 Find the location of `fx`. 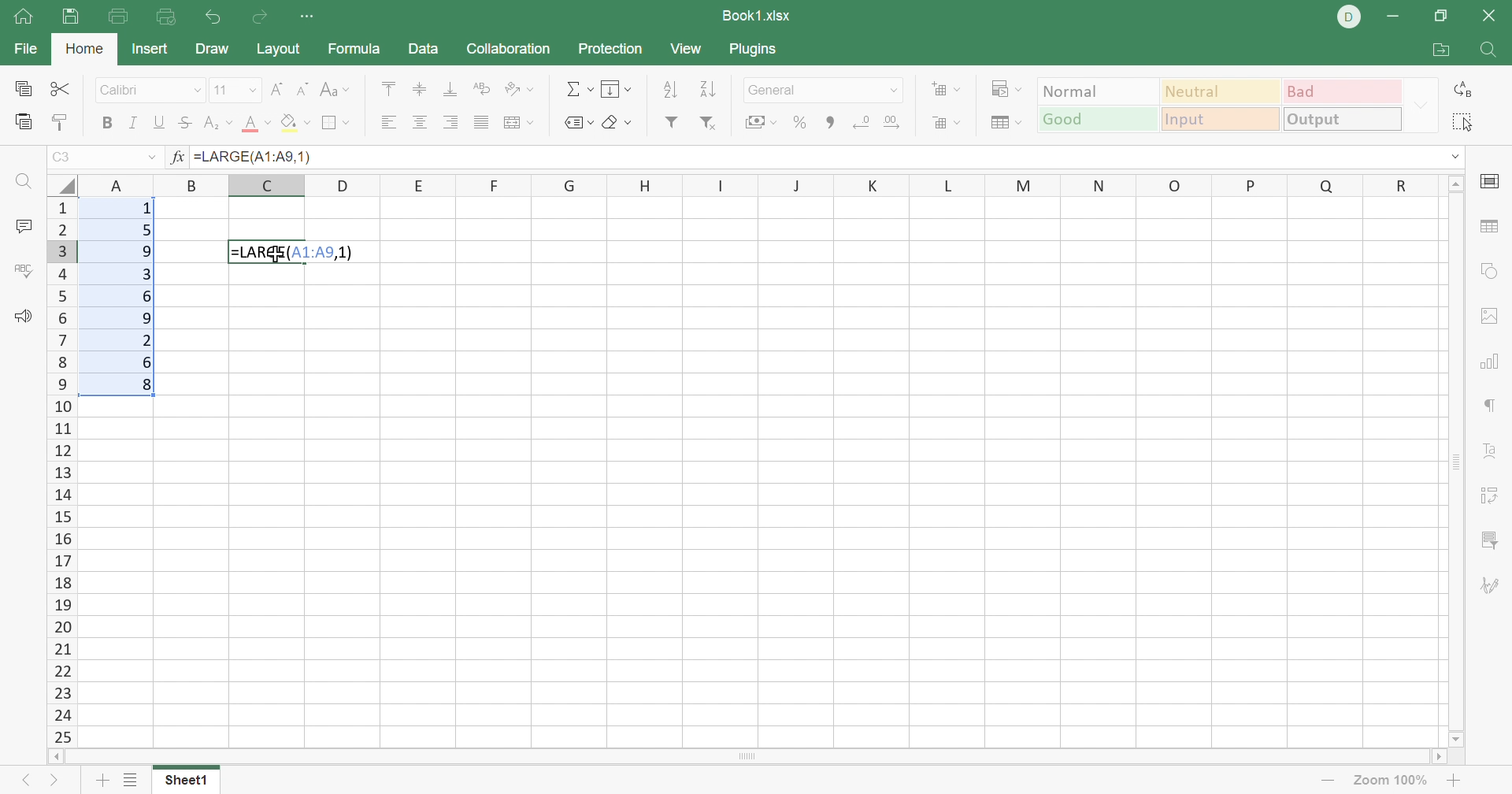

fx is located at coordinates (178, 155).